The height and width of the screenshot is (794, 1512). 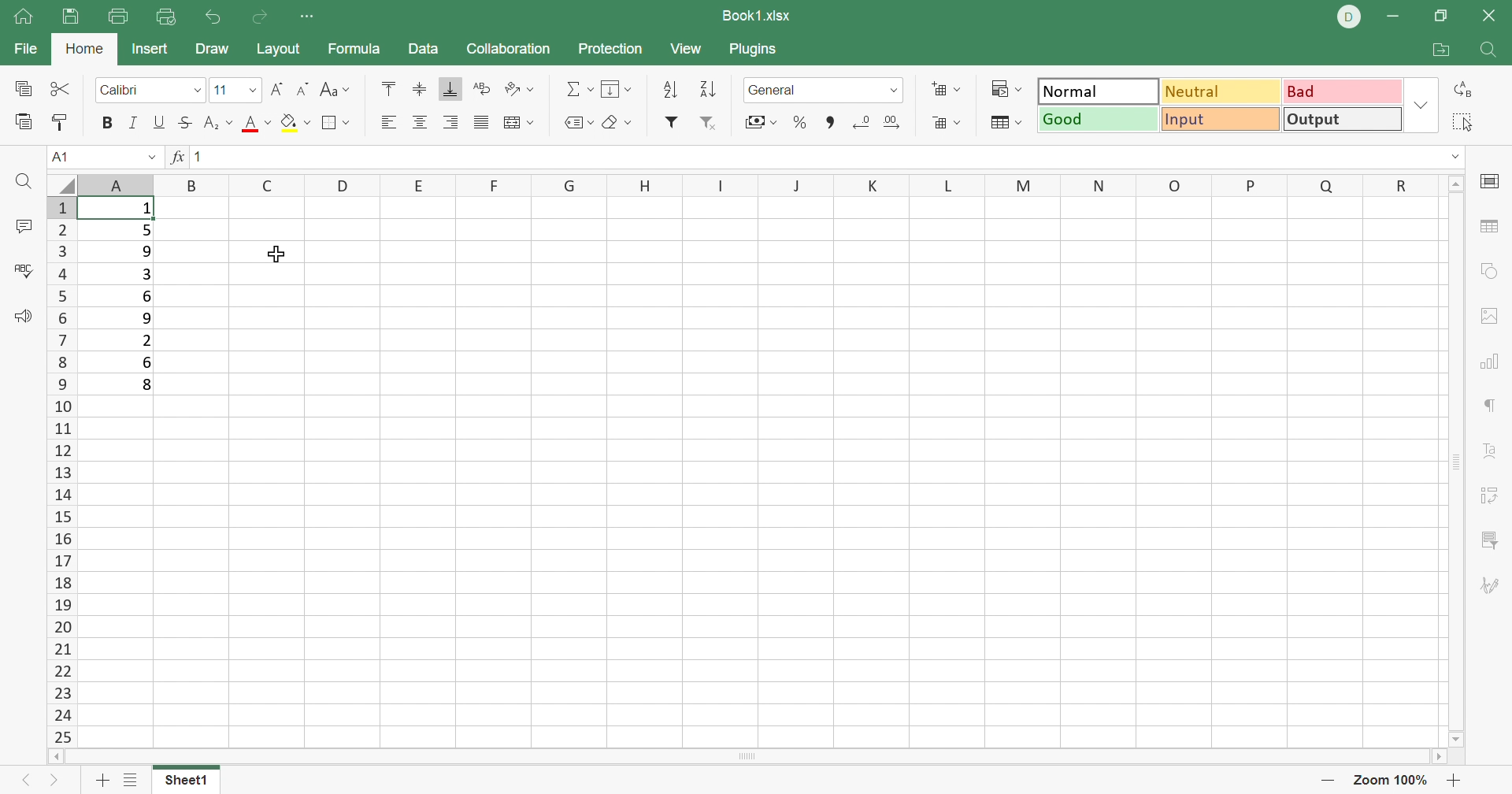 What do you see at coordinates (480, 123) in the screenshot?
I see `Justified` at bounding box center [480, 123].